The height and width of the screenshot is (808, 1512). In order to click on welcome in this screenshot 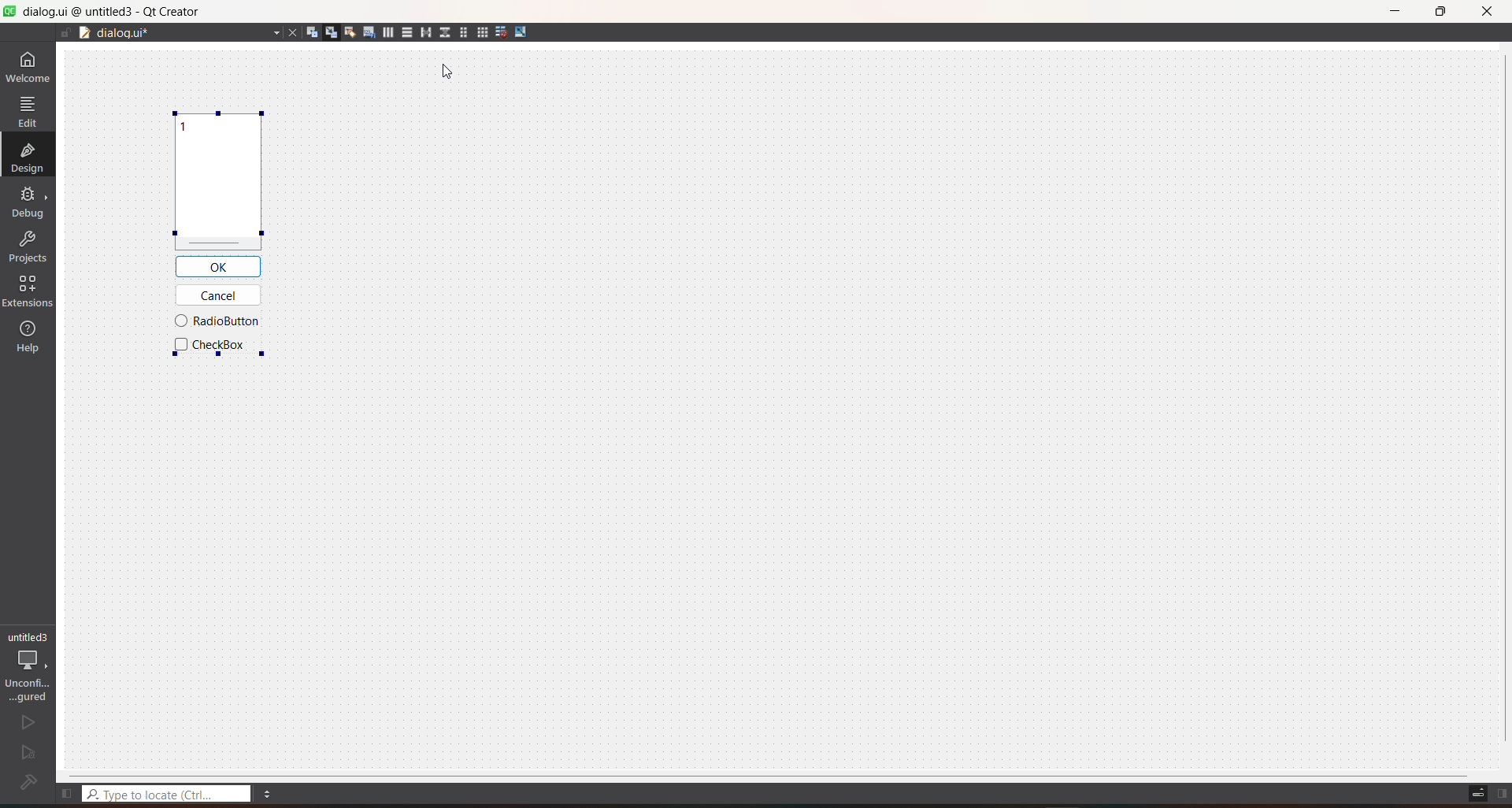, I will do `click(30, 65)`.